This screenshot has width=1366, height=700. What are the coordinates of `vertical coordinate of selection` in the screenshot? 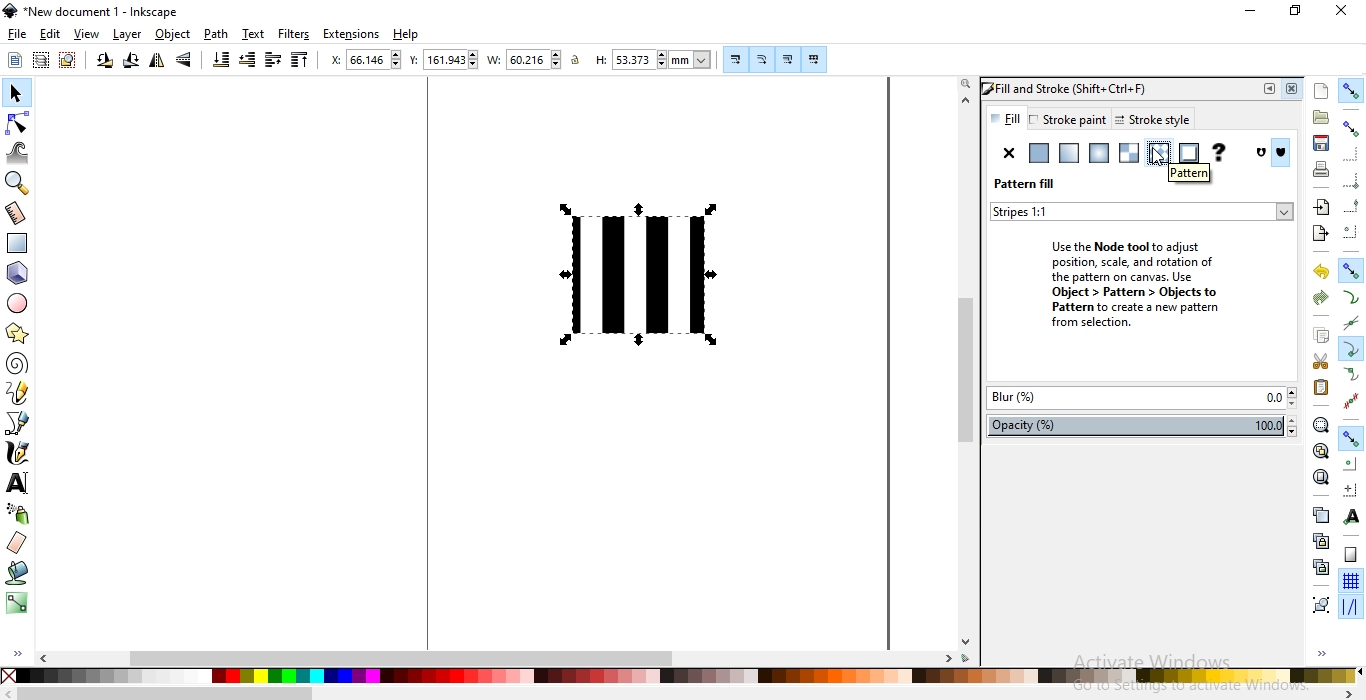 It's located at (414, 60).